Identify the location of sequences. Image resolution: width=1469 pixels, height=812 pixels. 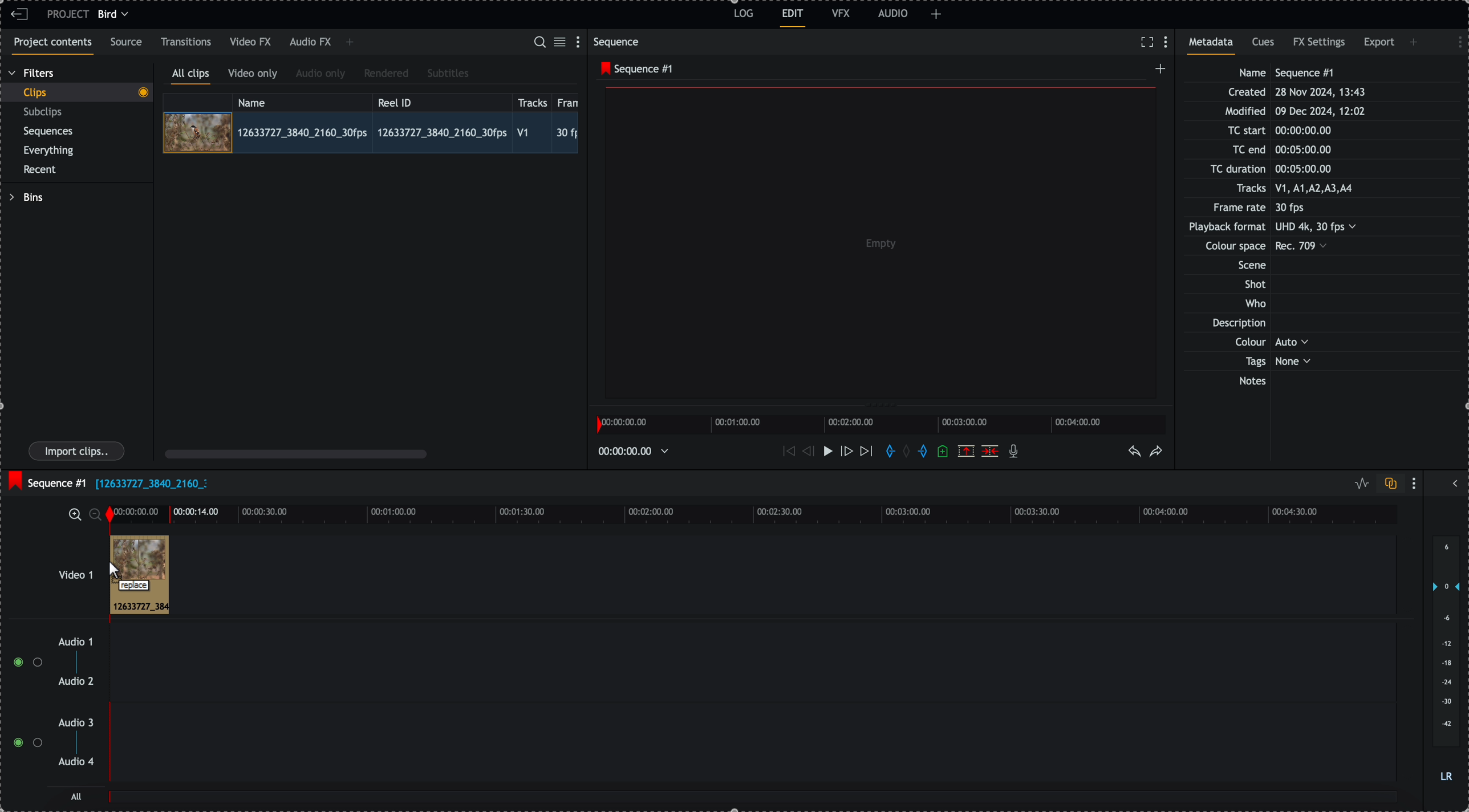
(48, 133).